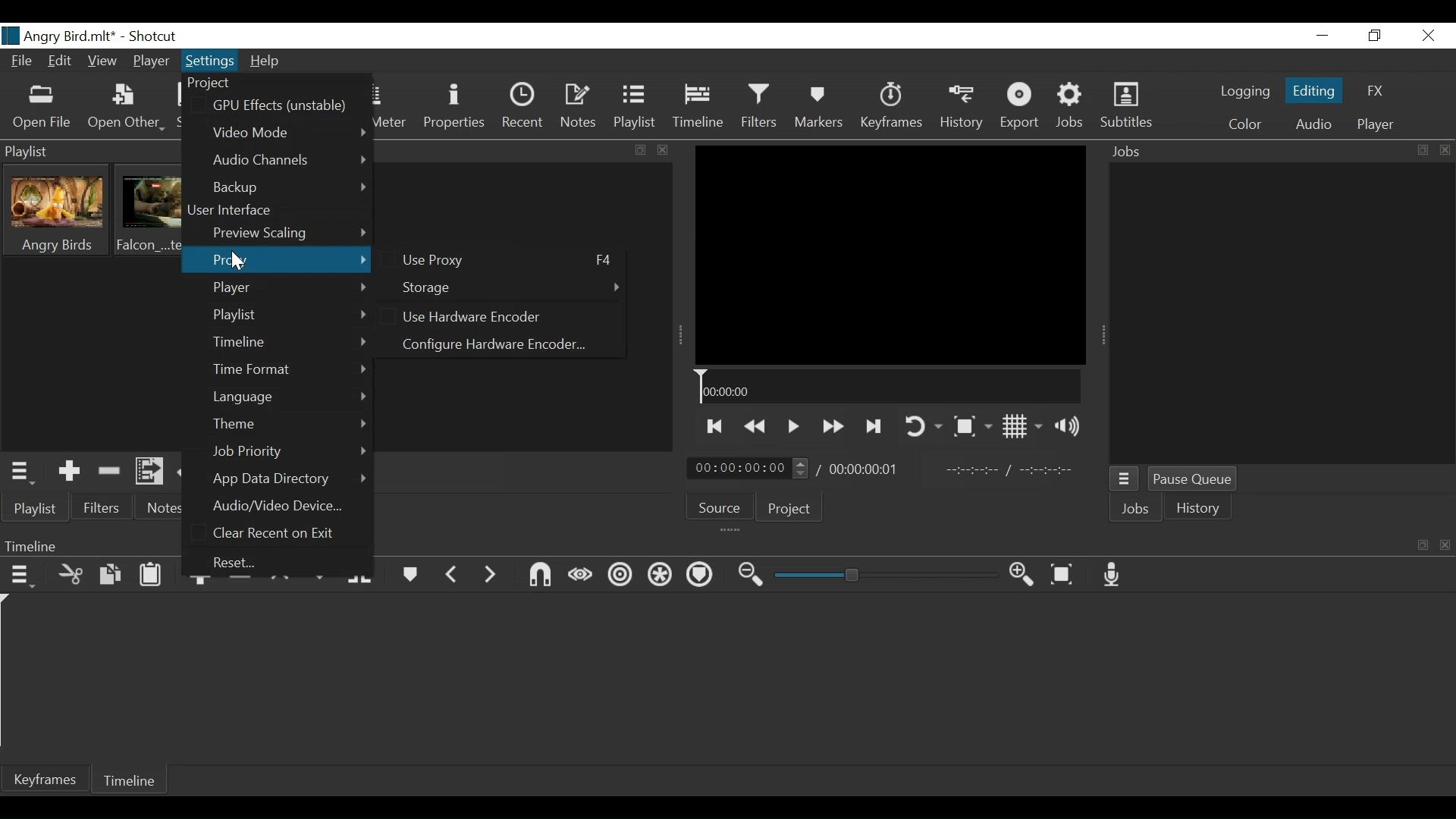  Describe the element at coordinates (148, 211) in the screenshot. I see `Clip` at that location.